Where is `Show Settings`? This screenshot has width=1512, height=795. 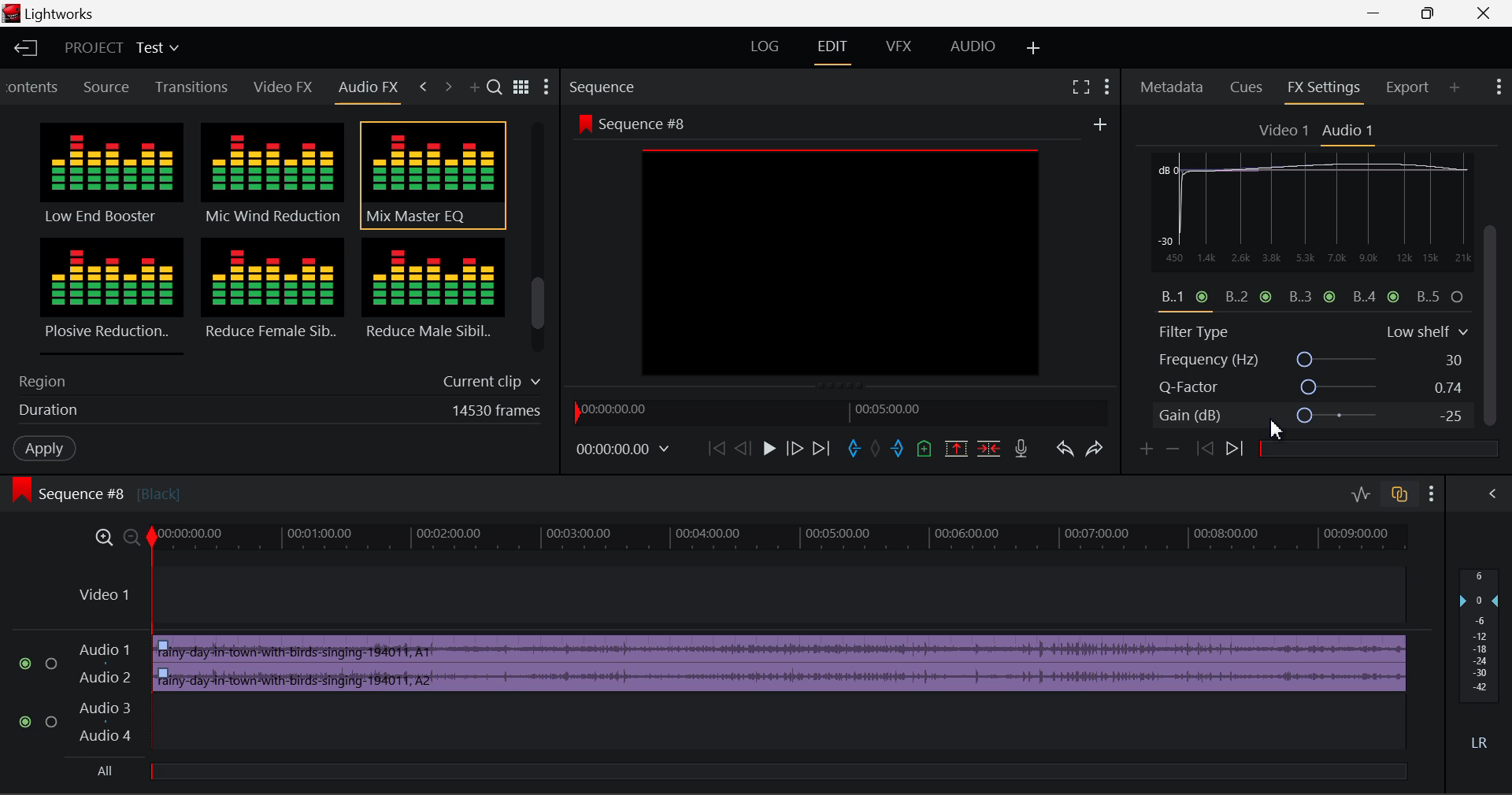
Show Settings is located at coordinates (1435, 494).